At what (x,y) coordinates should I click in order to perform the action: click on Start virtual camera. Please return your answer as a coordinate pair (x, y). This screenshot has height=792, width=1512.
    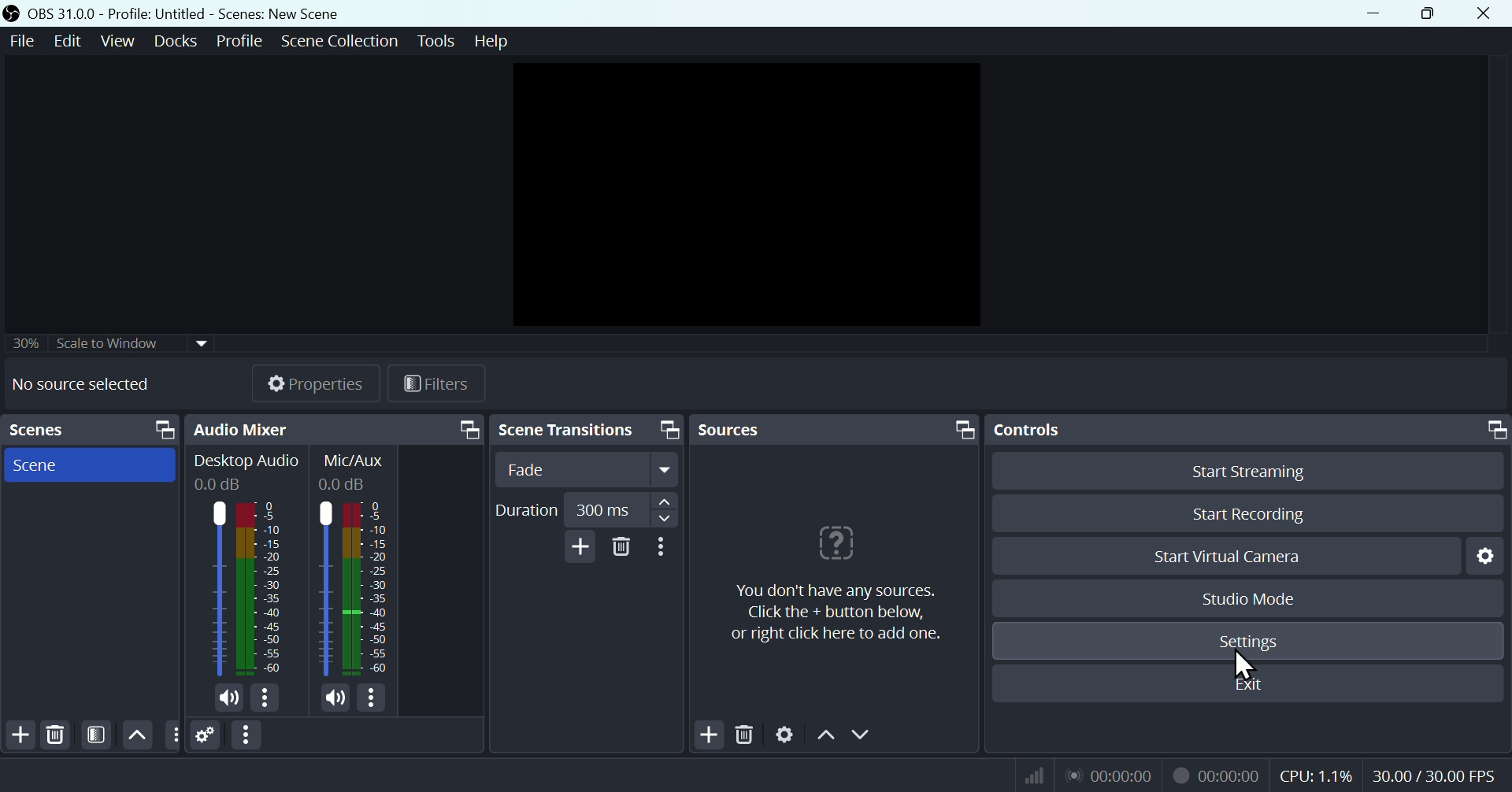
    Looking at the image, I should click on (1241, 555).